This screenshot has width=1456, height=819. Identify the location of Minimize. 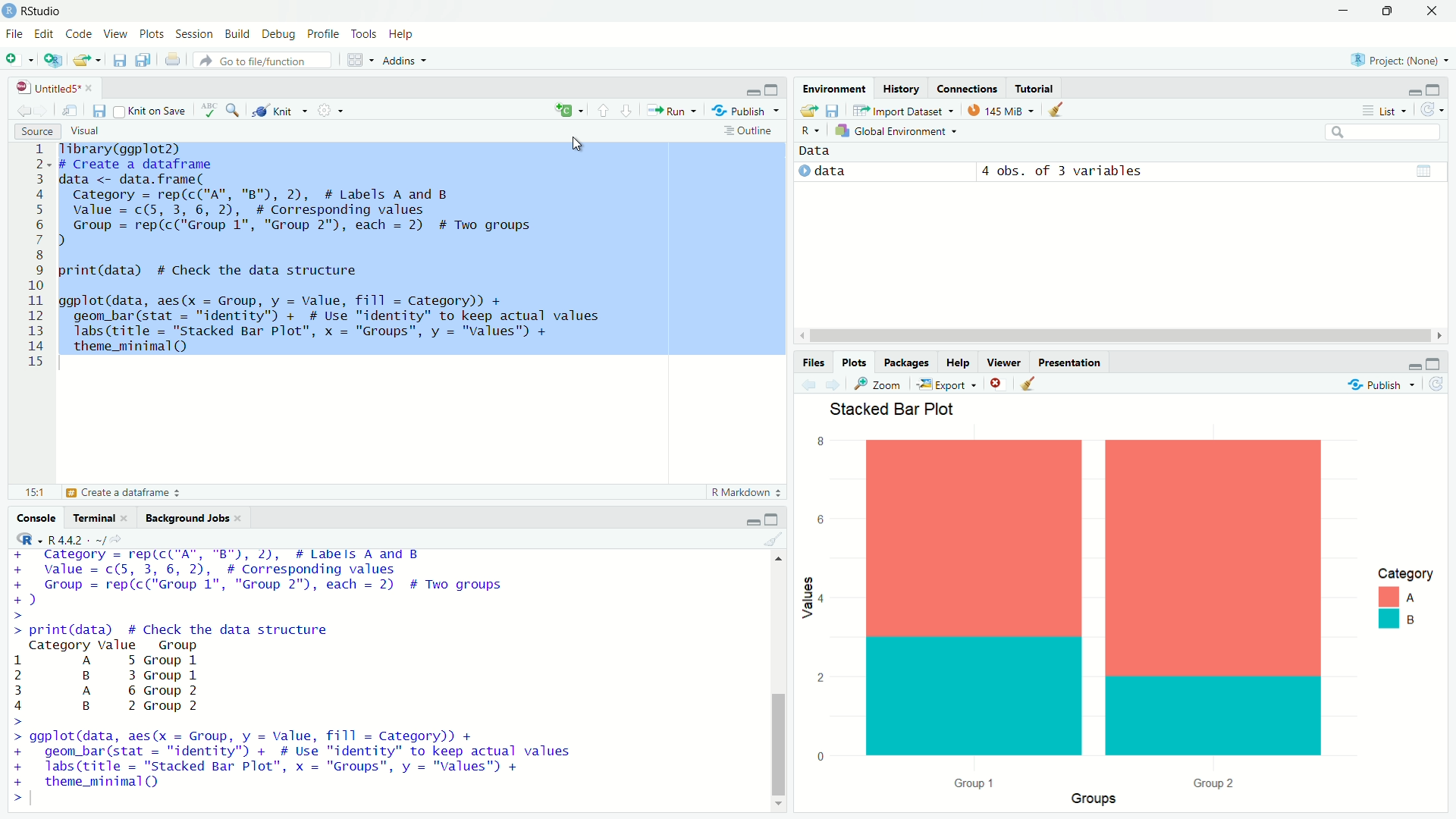
(749, 522).